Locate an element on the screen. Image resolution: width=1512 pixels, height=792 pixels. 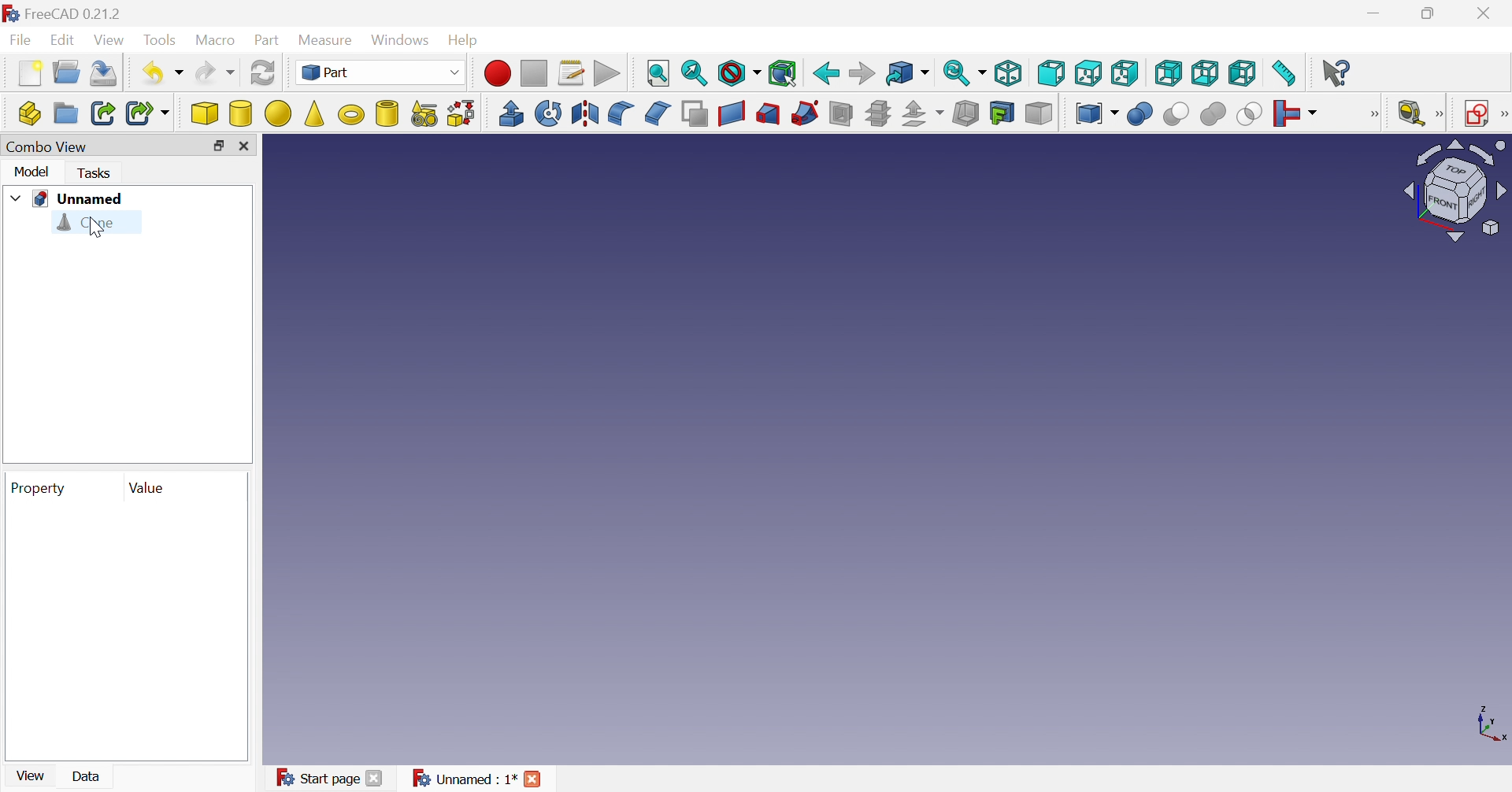
Offset: is located at coordinates (924, 114).